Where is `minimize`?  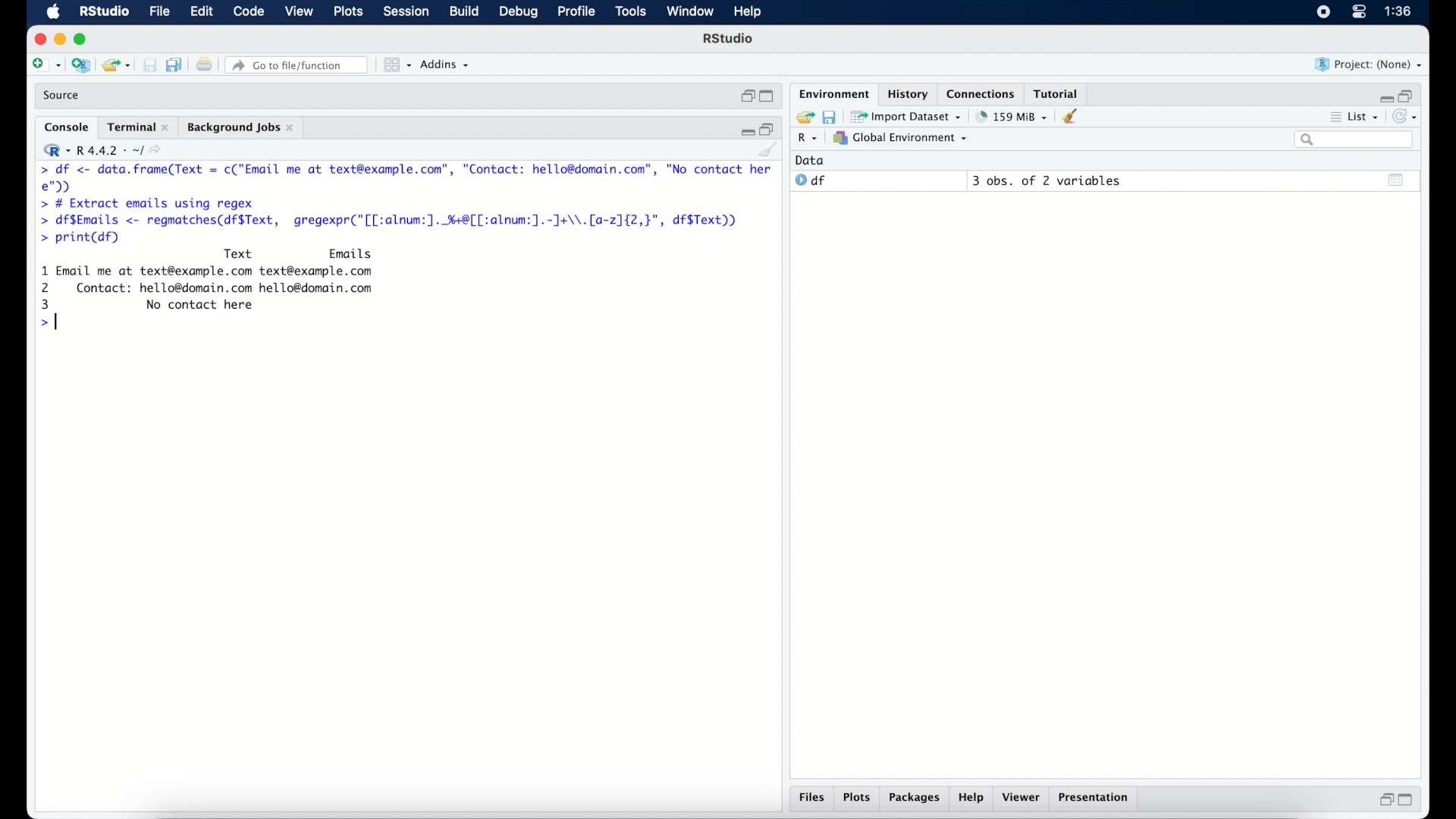 minimize is located at coordinates (745, 131).